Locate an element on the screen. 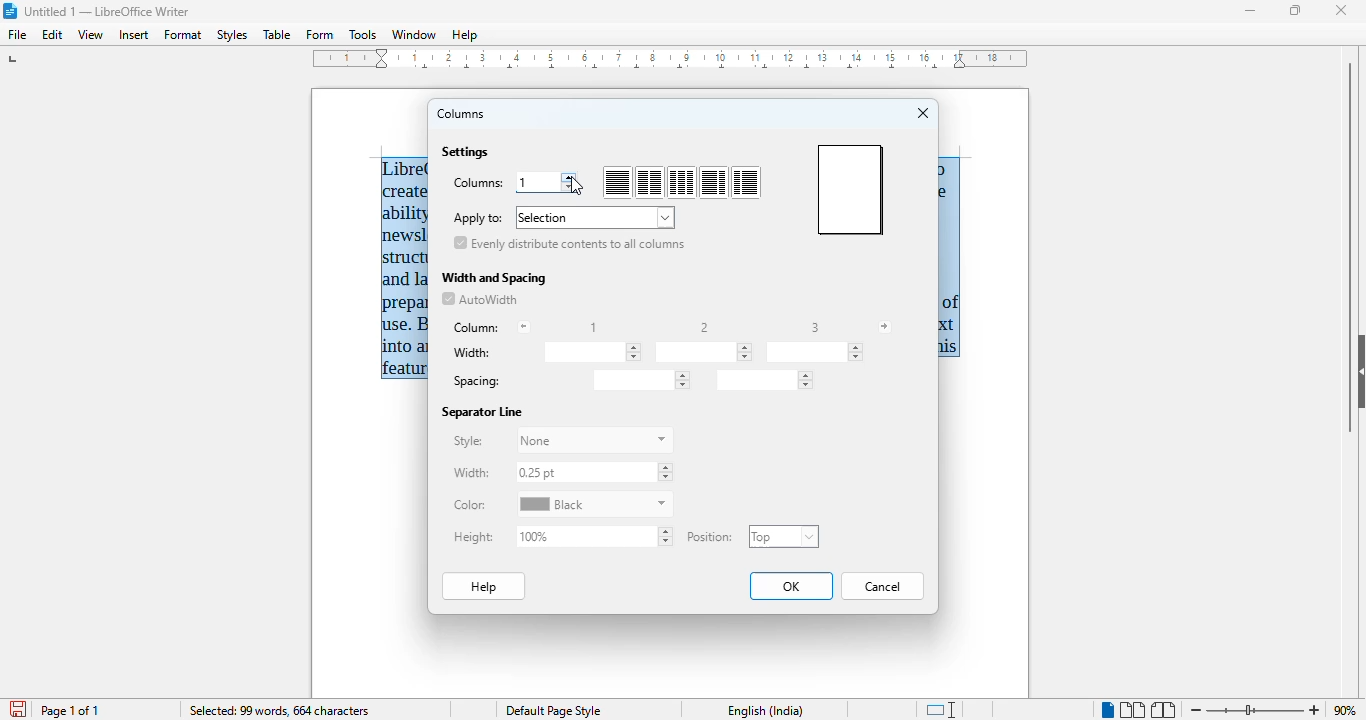  help is located at coordinates (485, 586).